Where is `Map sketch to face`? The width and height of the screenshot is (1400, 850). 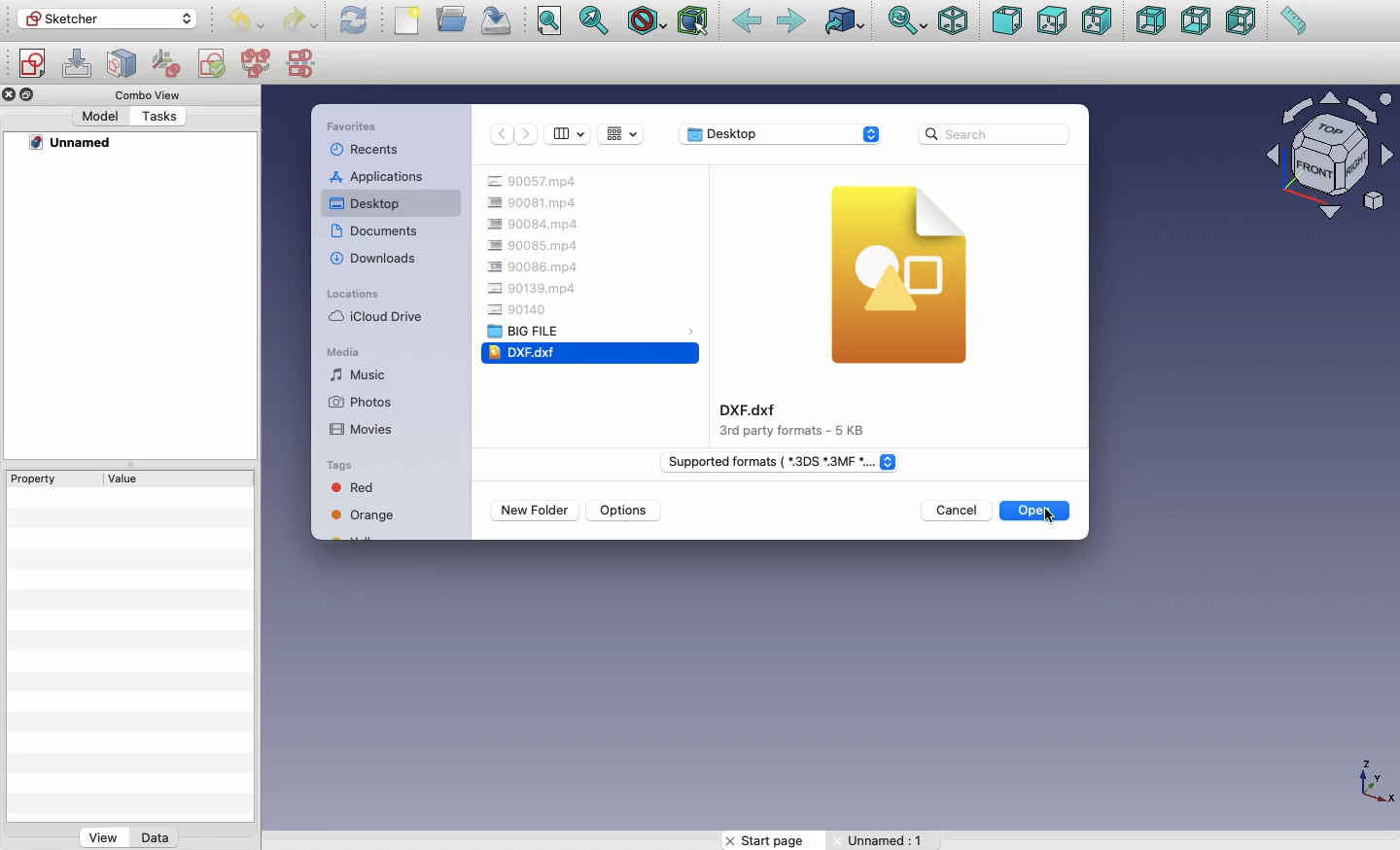
Map sketch to face is located at coordinates (126, 64).